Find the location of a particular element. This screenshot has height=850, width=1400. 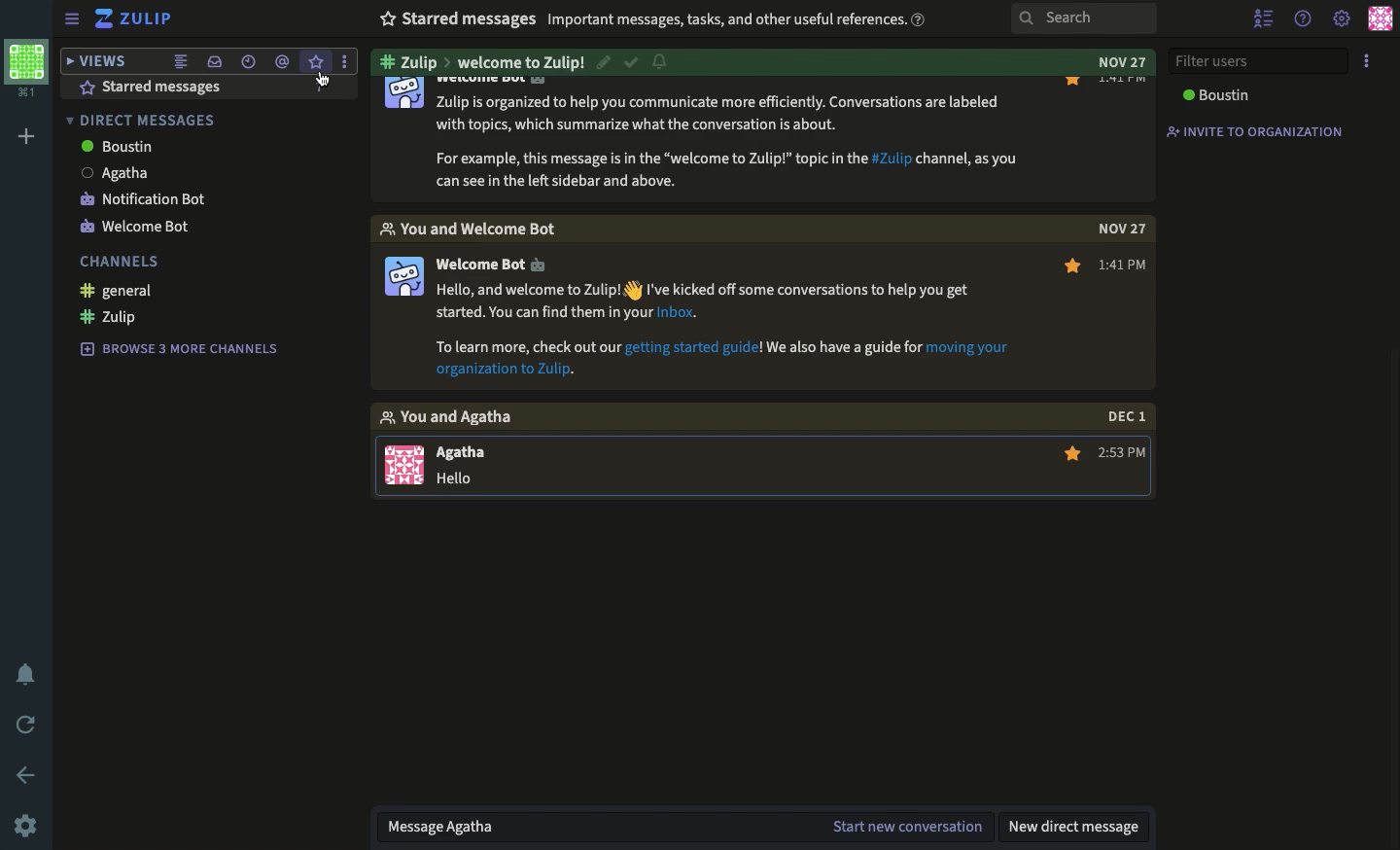

time 2:53 PM is located at coordinates (1124, 455).